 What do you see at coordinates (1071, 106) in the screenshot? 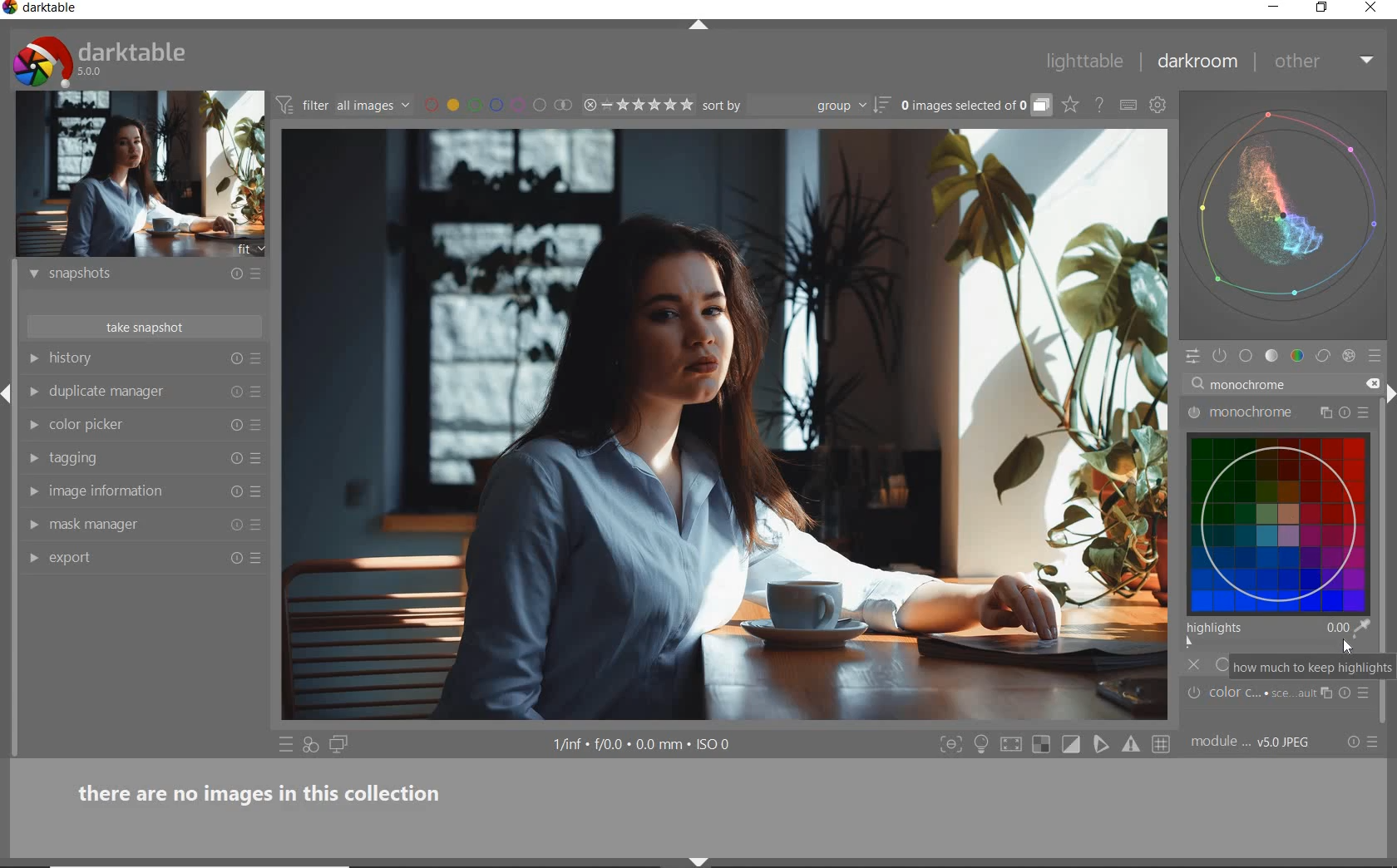
I see `click to change the type of overlay shown on thumbnails` at bounding box center [1071, 106].